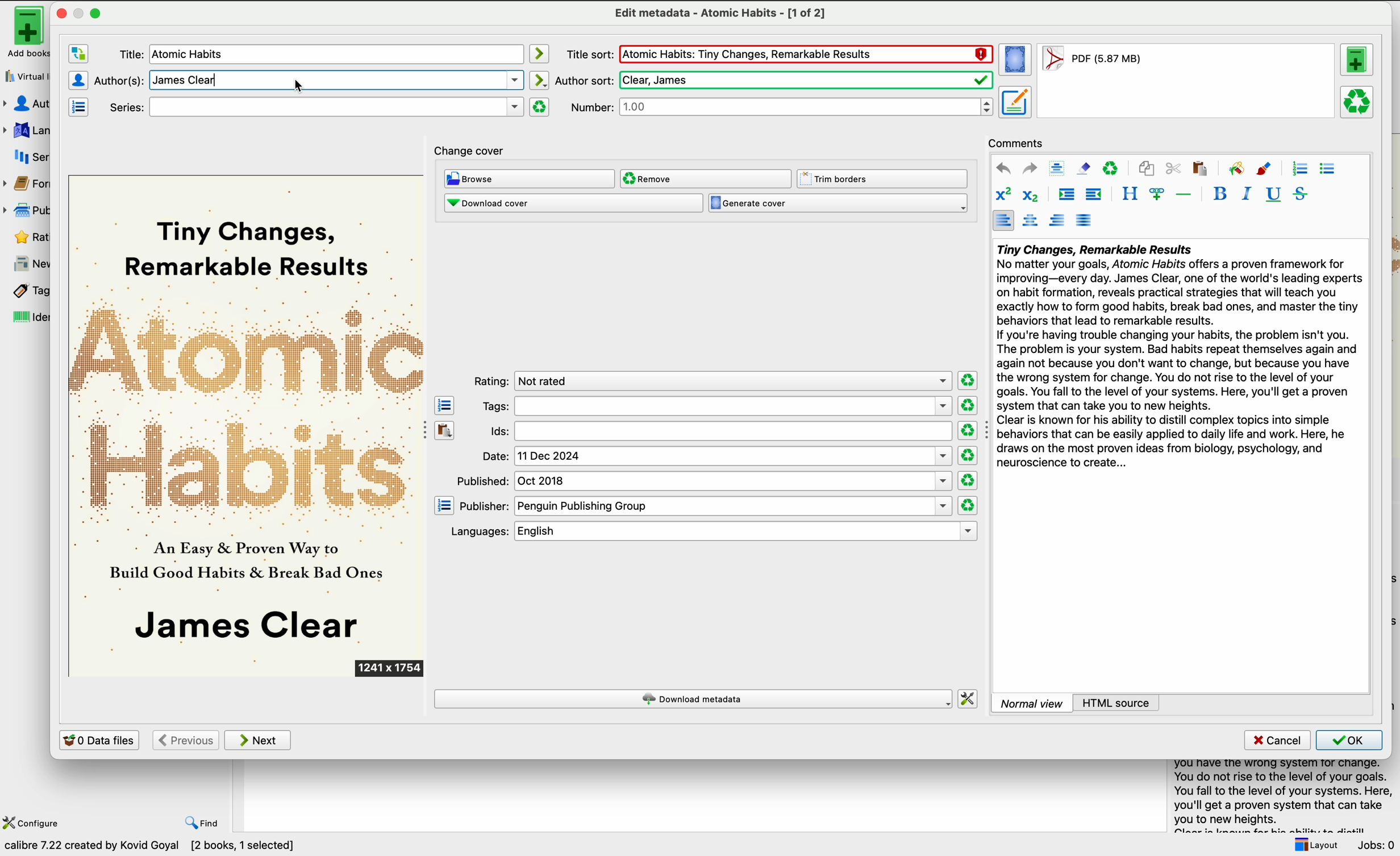 The width and height of the screenshot is (1400, 856). I want to click on clear rating, so click(966, 481).